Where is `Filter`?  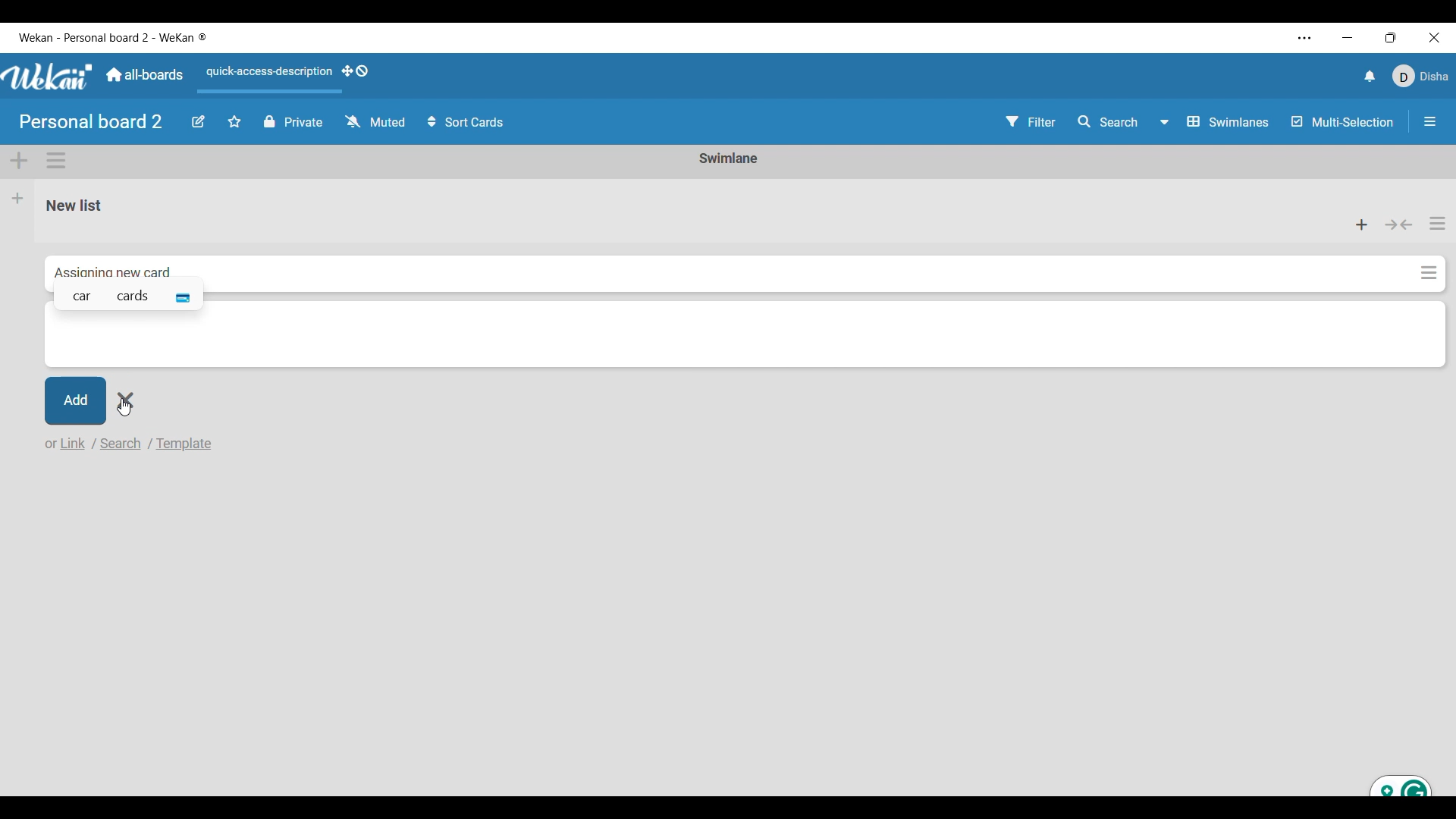 Filter is located at coordinates (1031, 121).